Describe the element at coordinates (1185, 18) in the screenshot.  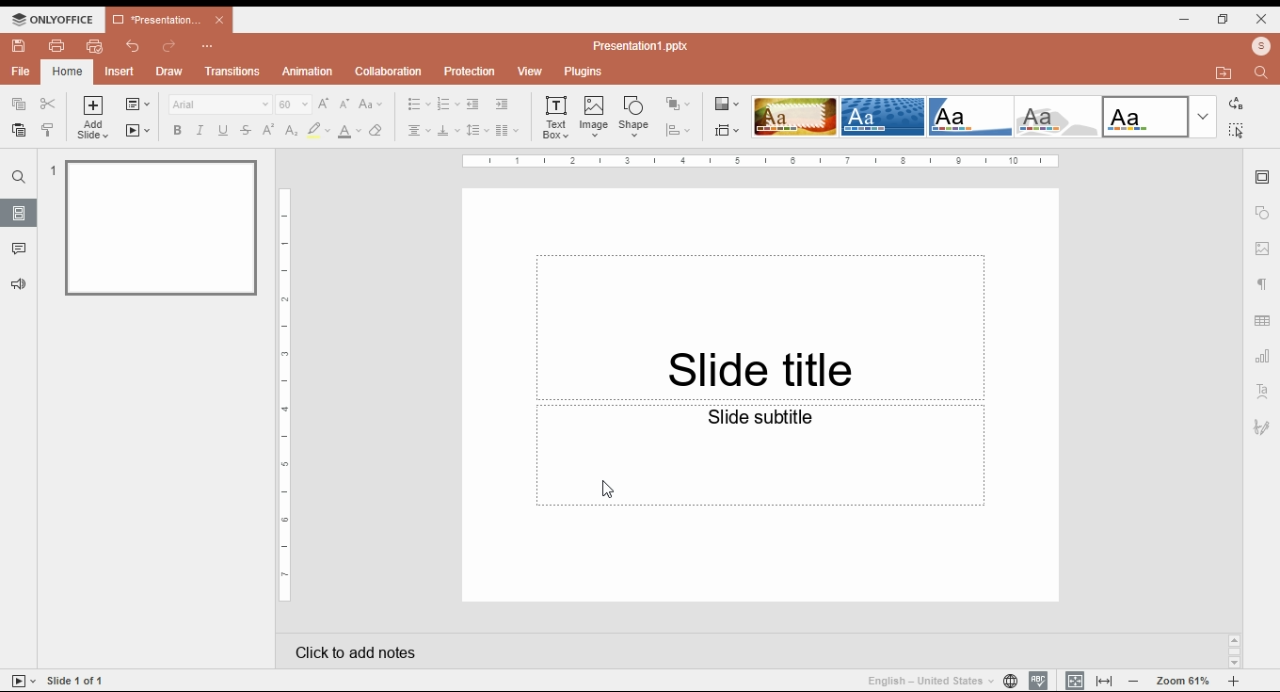
I see `minimize` at that location.